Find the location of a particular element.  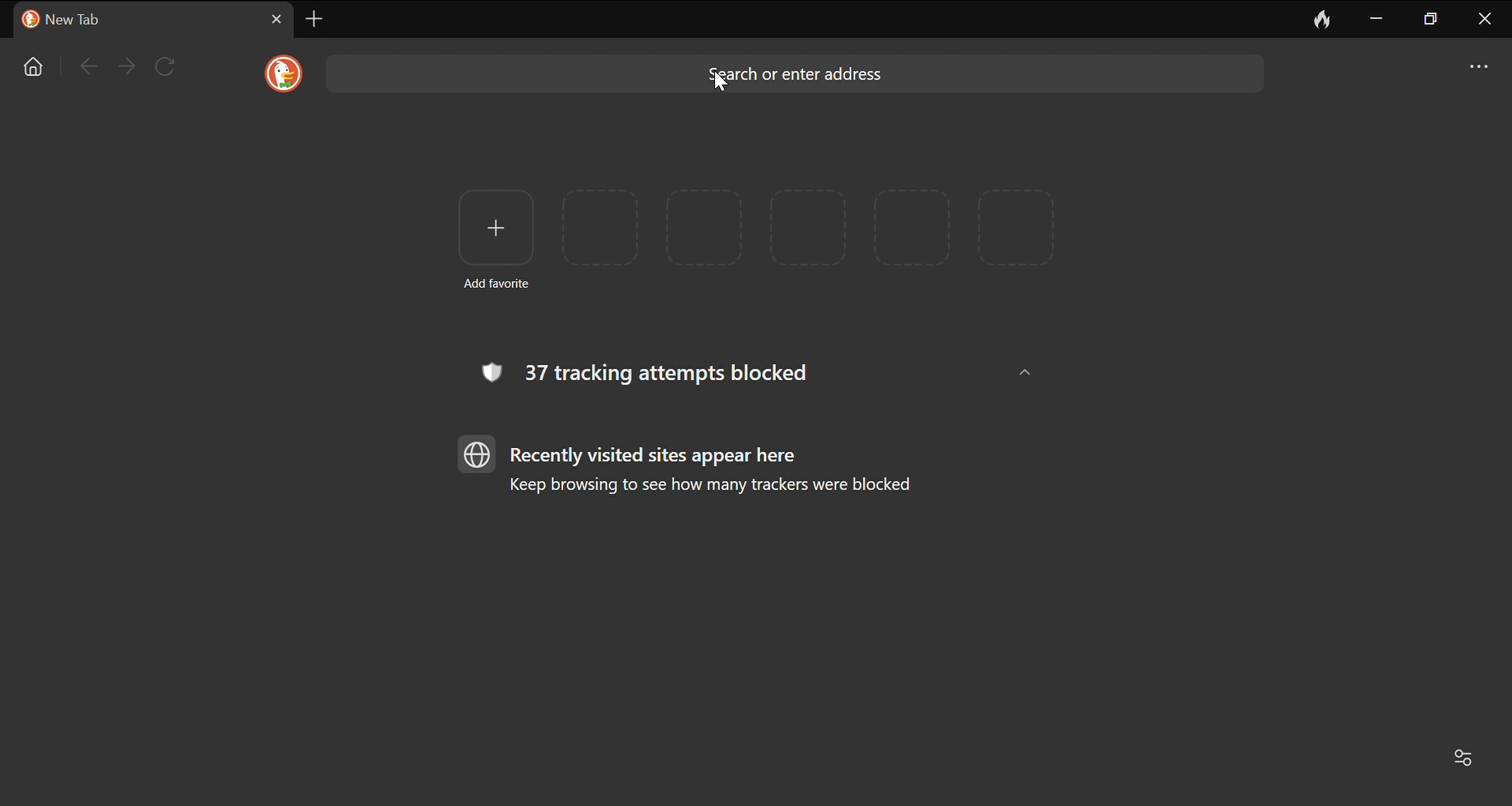

Minimize is located at coordinates (1377, 17).